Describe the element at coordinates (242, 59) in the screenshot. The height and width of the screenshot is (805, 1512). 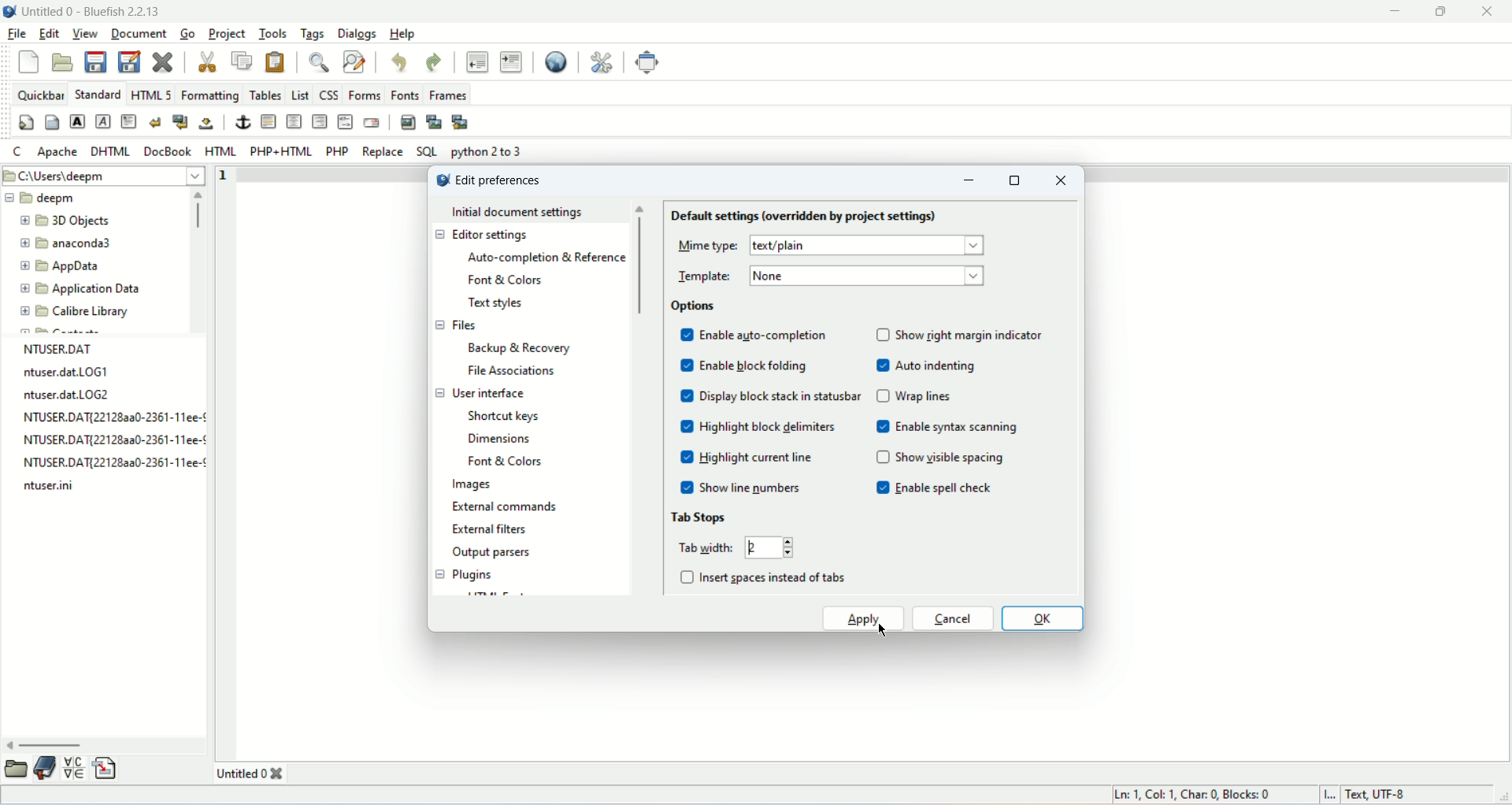
I see `copy` at that location.